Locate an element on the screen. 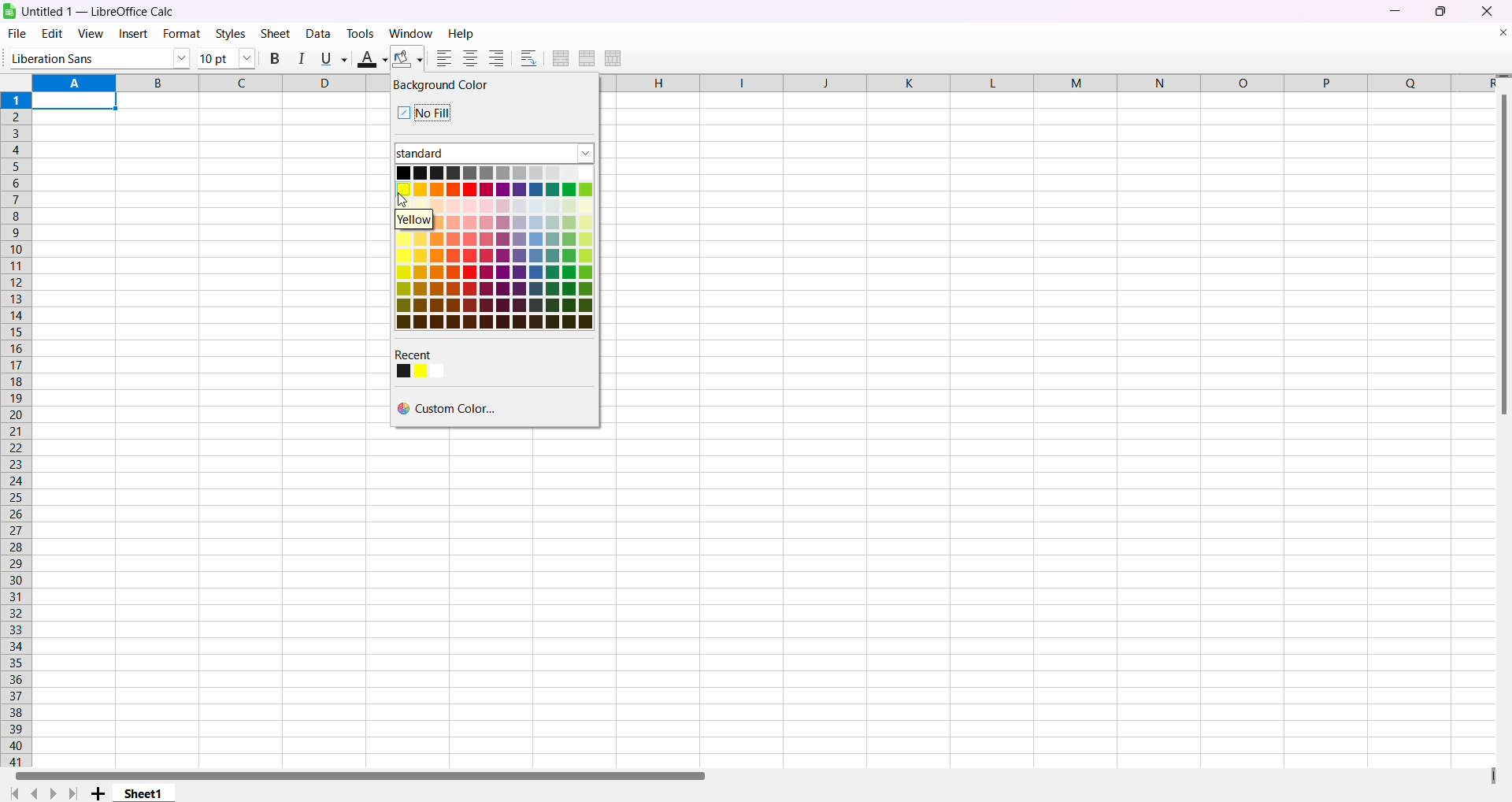 This screenshot has width=1512, height=802. custom color is located at coordinates (453, 410).